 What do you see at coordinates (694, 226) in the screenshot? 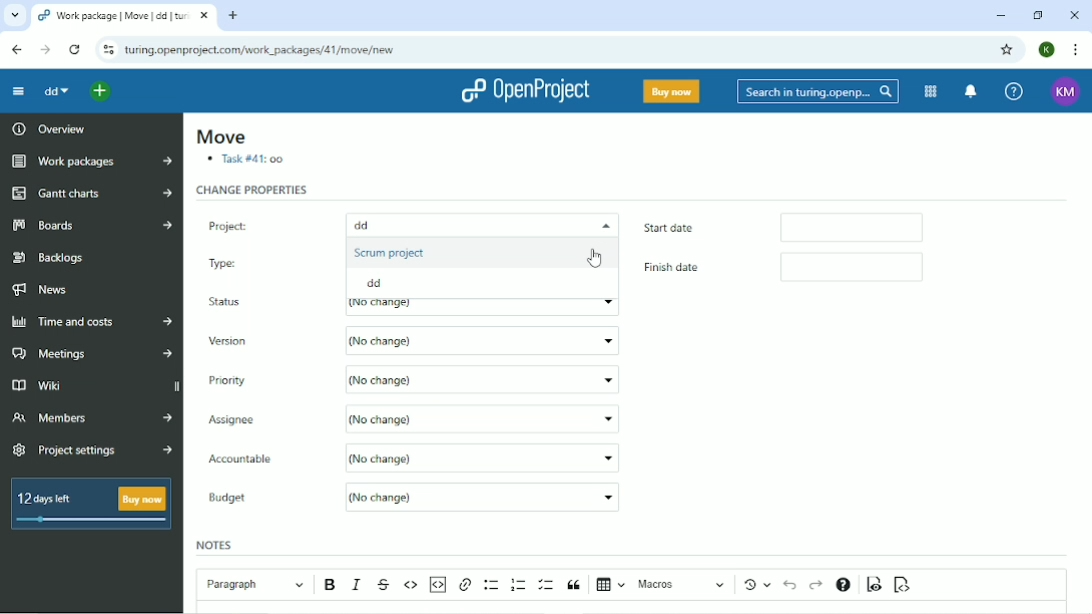
I see `Start date` at bounding box center [694, 226].